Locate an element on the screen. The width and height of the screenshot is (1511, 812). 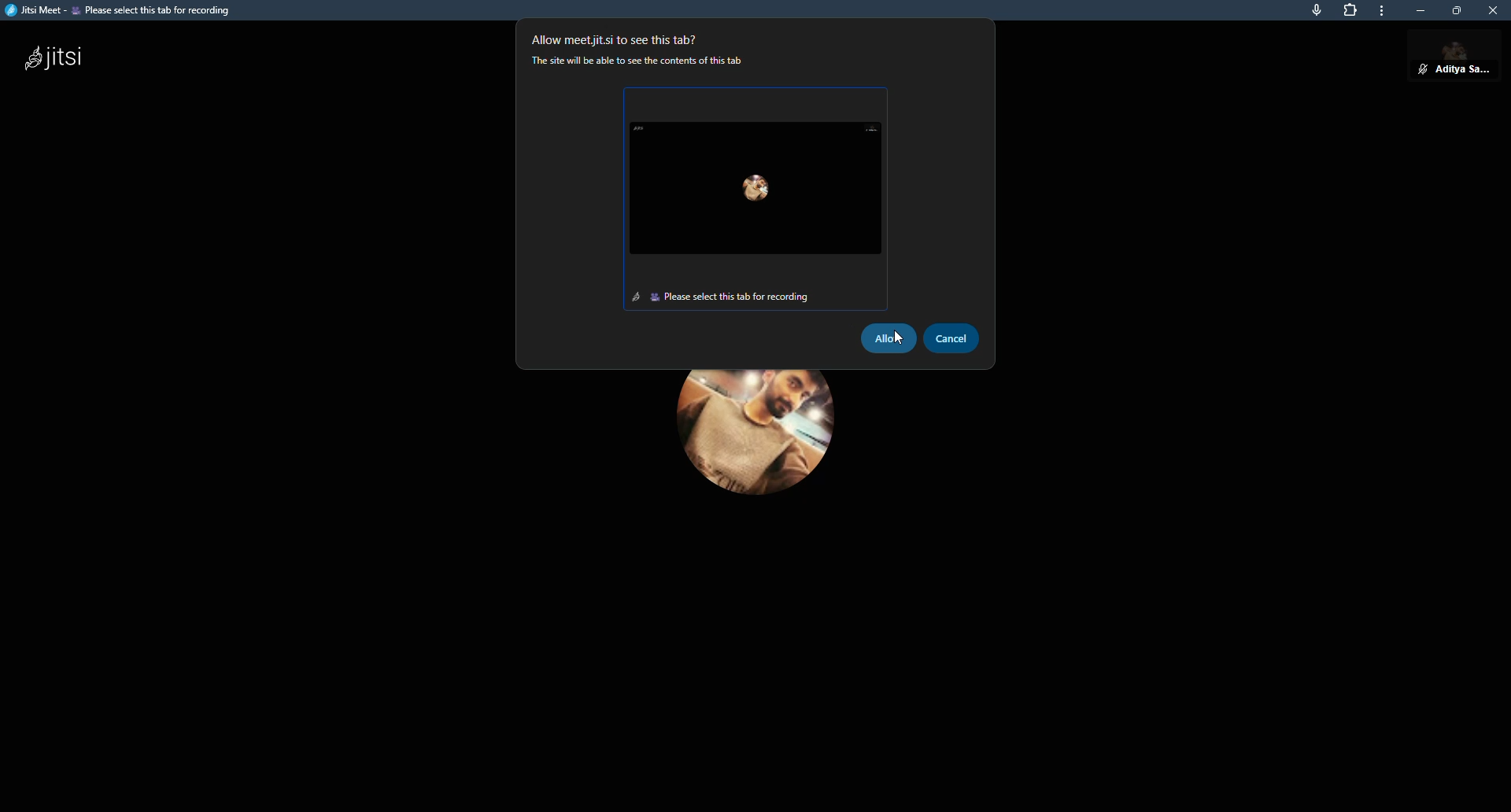
aditya sarkar is located at coordinates (1456, 55).